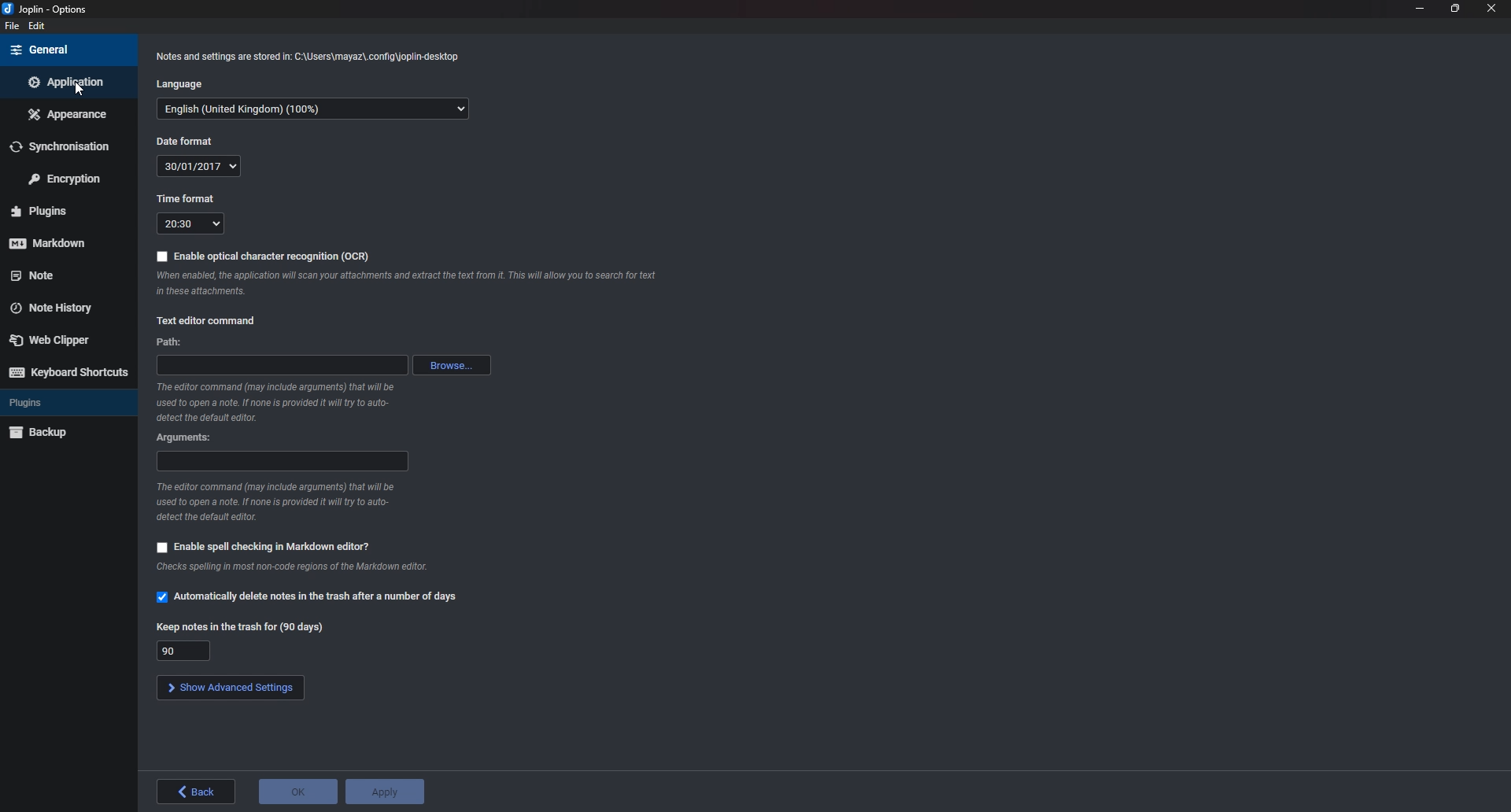 The image size is (1511, 812). What do you see at coordinates (386, 792) in the screenshot?
I see `apply` at bounding box center [386, 792].